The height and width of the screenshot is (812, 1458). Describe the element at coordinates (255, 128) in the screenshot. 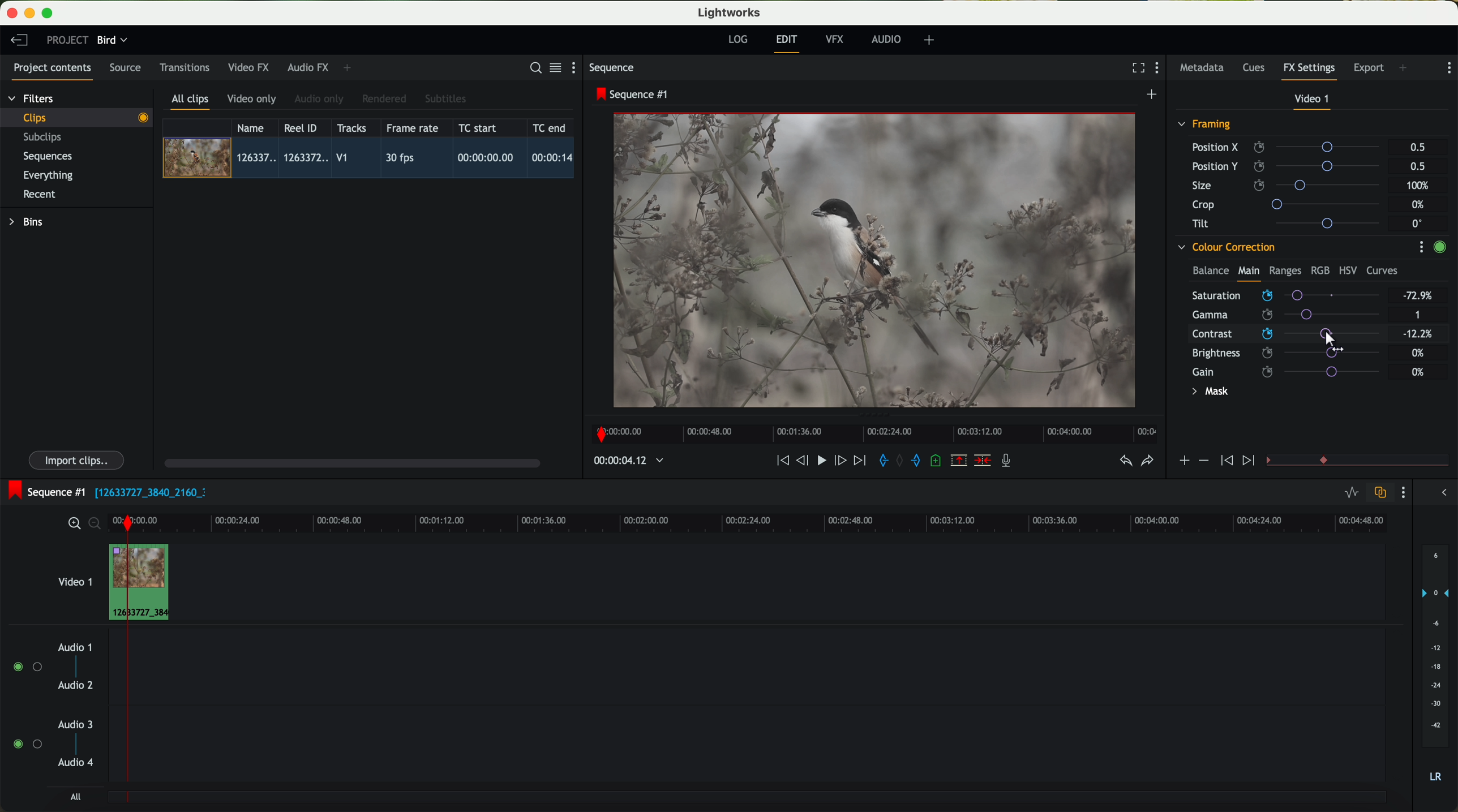

I see `name` at that location.